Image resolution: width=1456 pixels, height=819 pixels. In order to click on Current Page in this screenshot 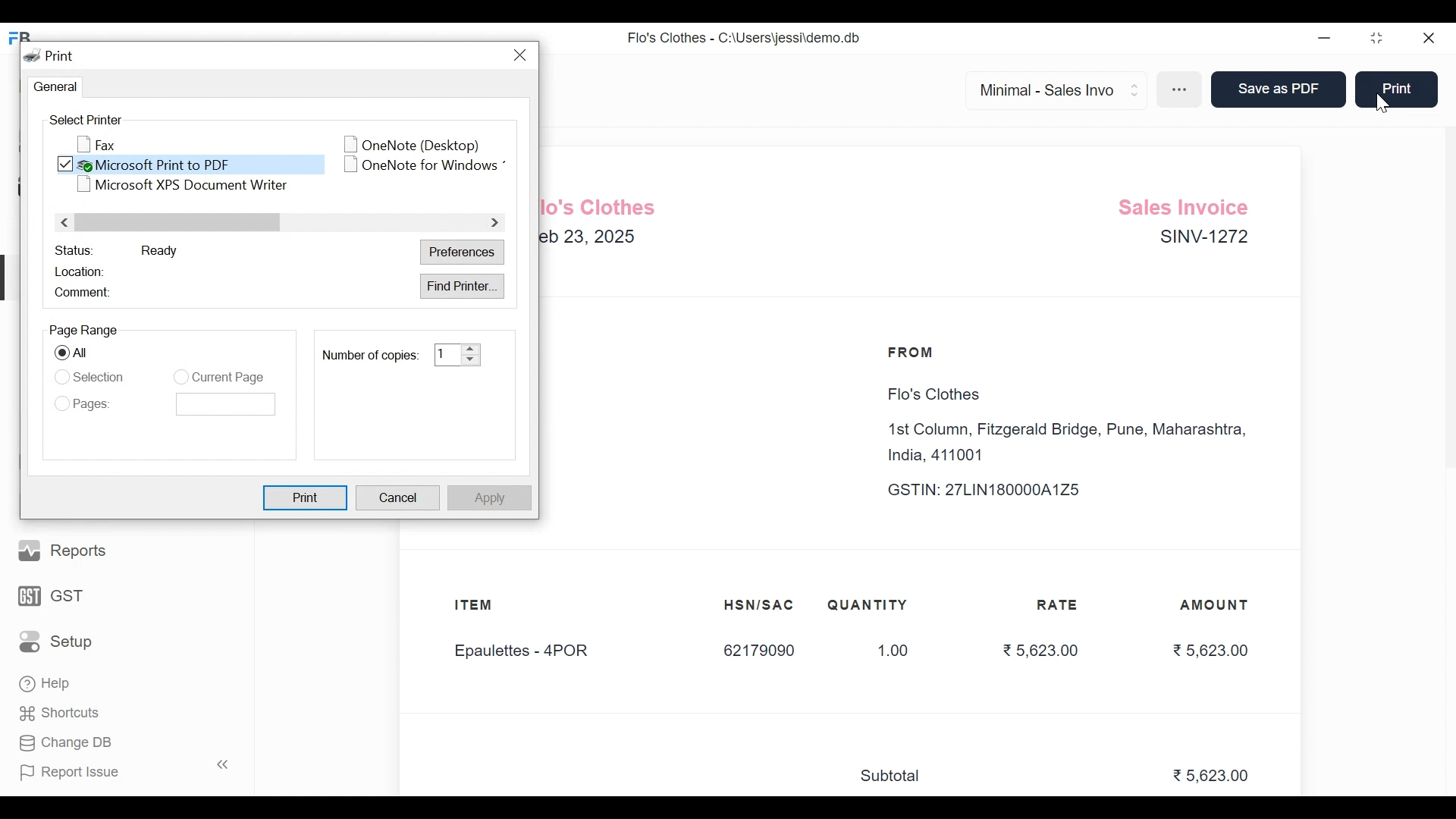, I will do `click(228, 378)`.